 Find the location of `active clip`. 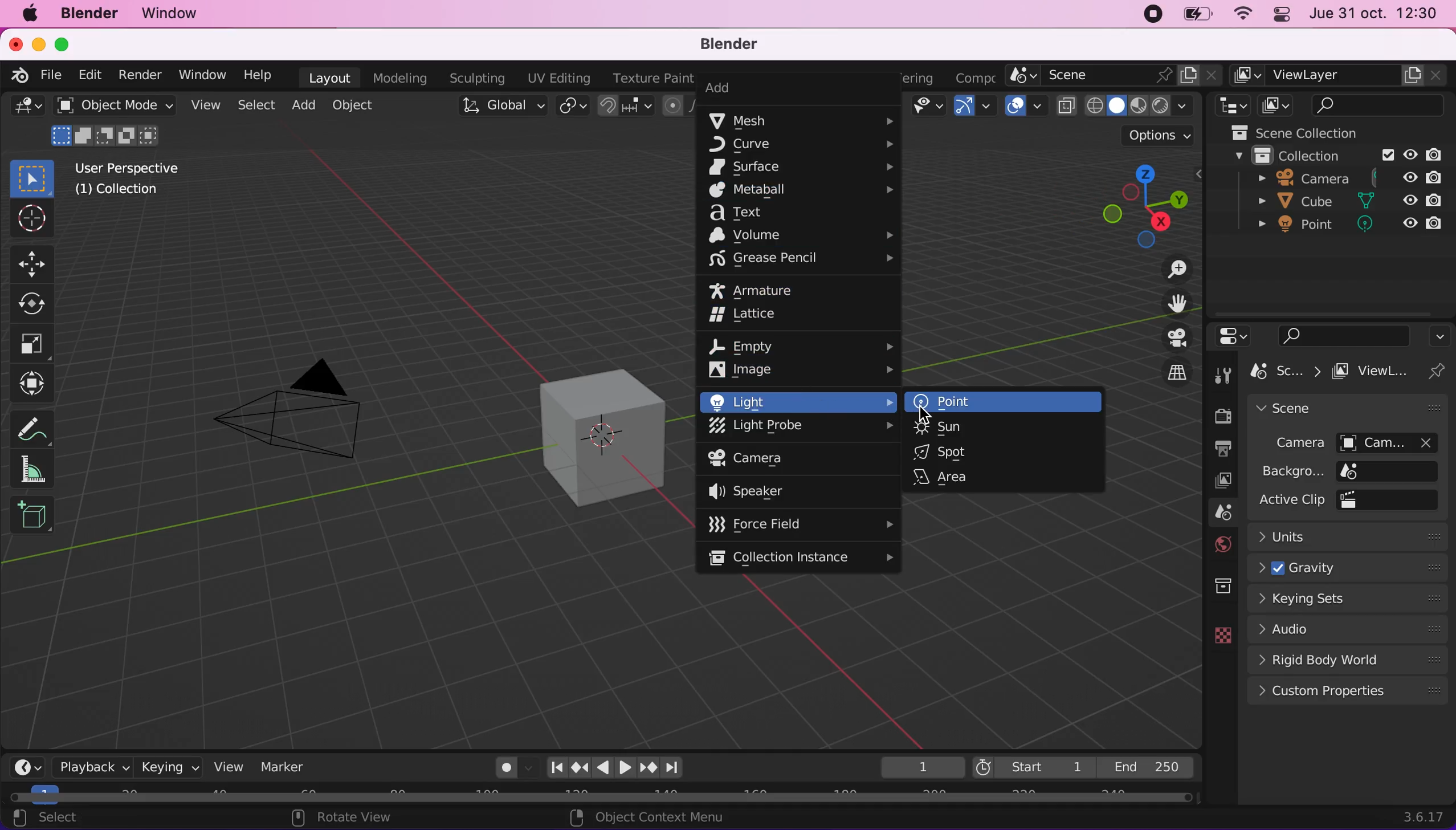

active clip is located at coordinates (1290, 500).